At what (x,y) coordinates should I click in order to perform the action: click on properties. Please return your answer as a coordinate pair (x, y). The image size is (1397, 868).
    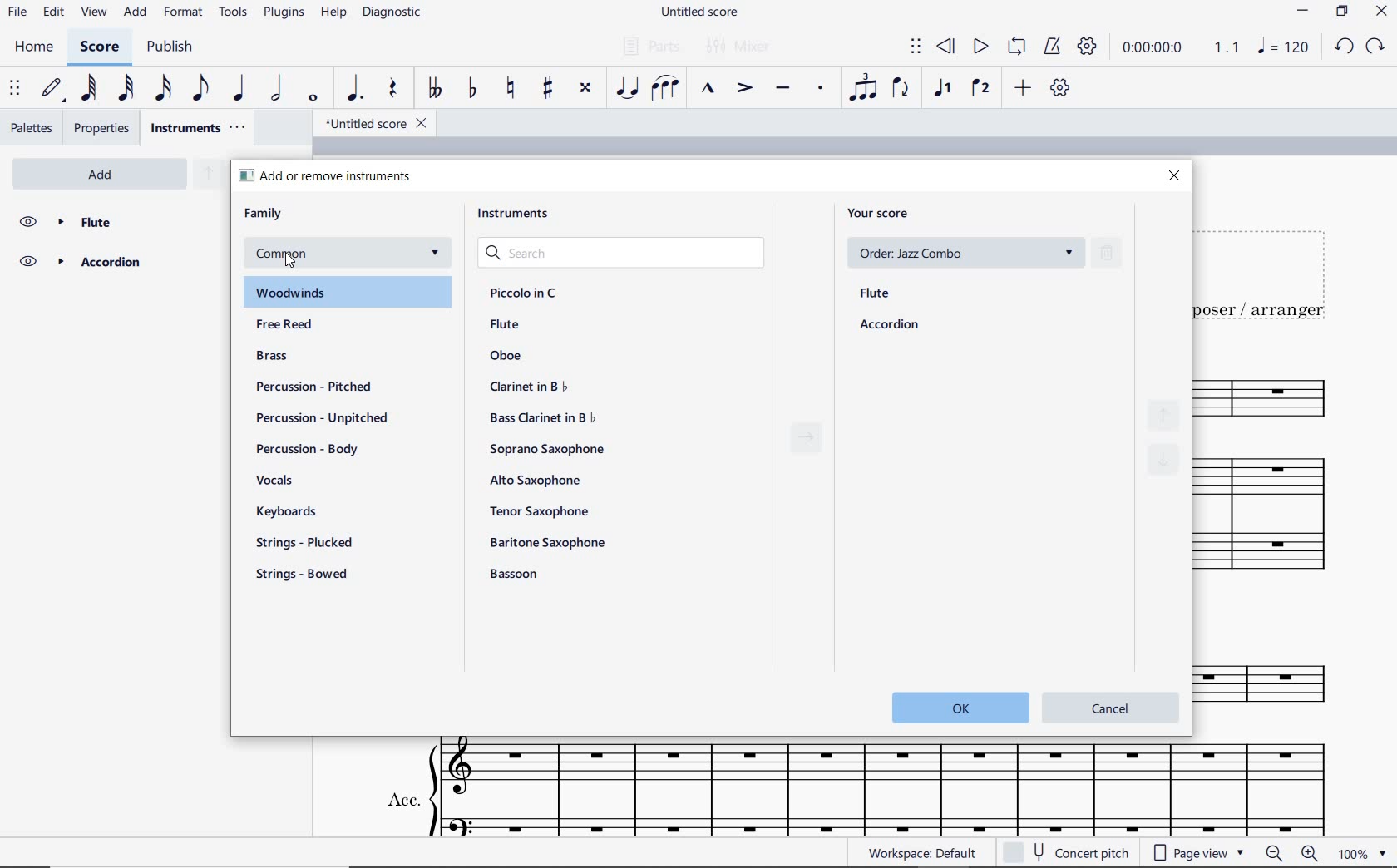
    Looking at the image, I should click on (104, 128).